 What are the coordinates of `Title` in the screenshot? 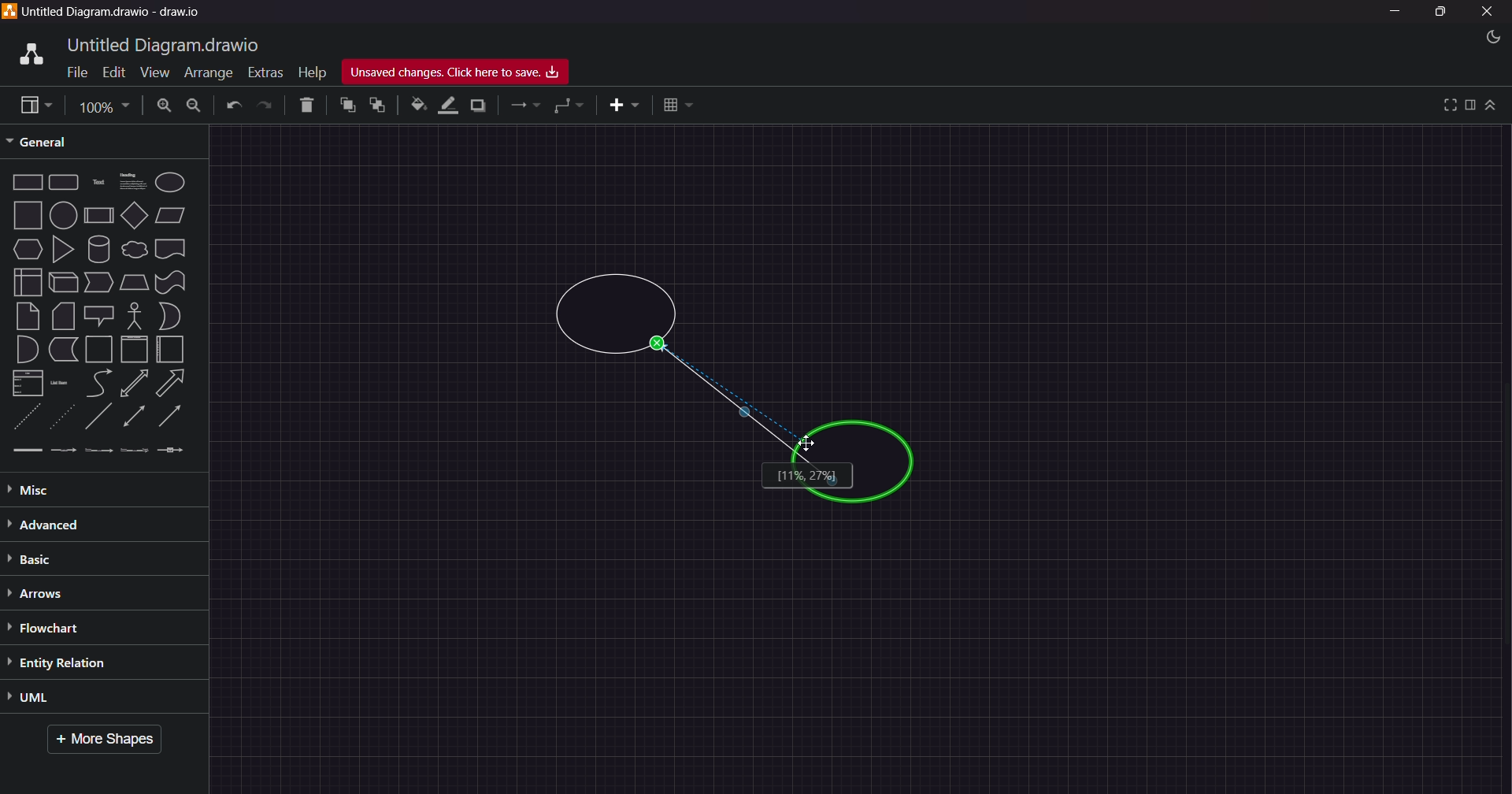 It's located at (118, 13).